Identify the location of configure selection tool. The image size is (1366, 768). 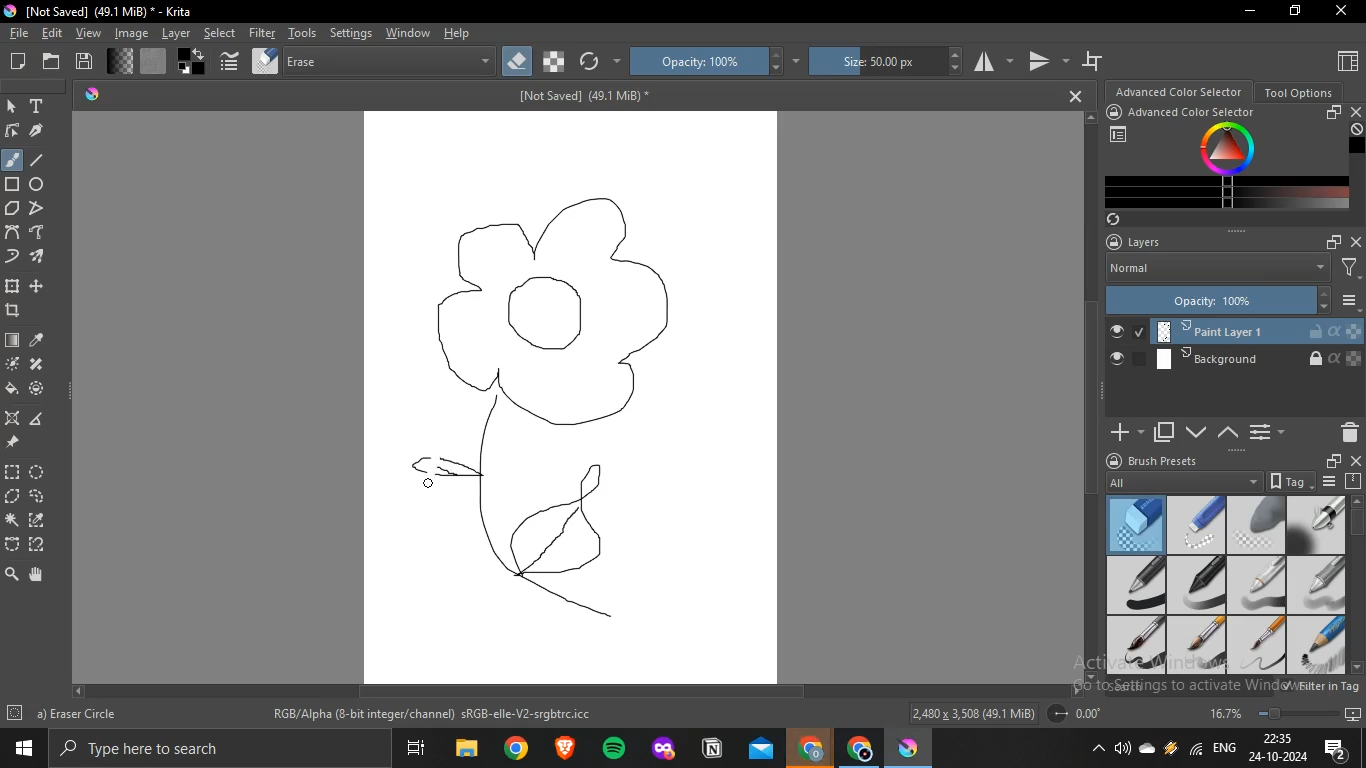
(14, 520).